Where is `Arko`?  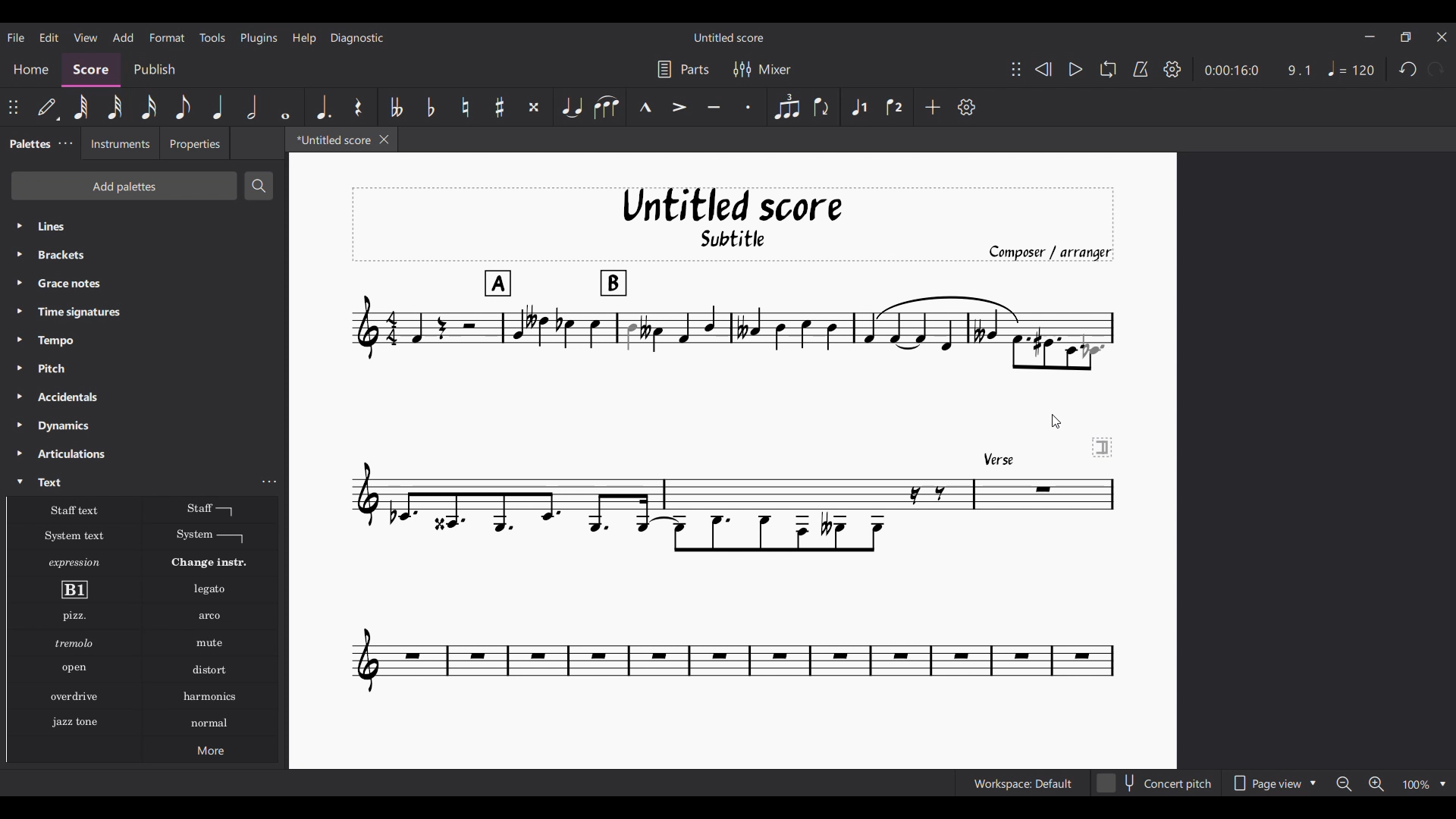 Arko is located at coordinates (210, 617).